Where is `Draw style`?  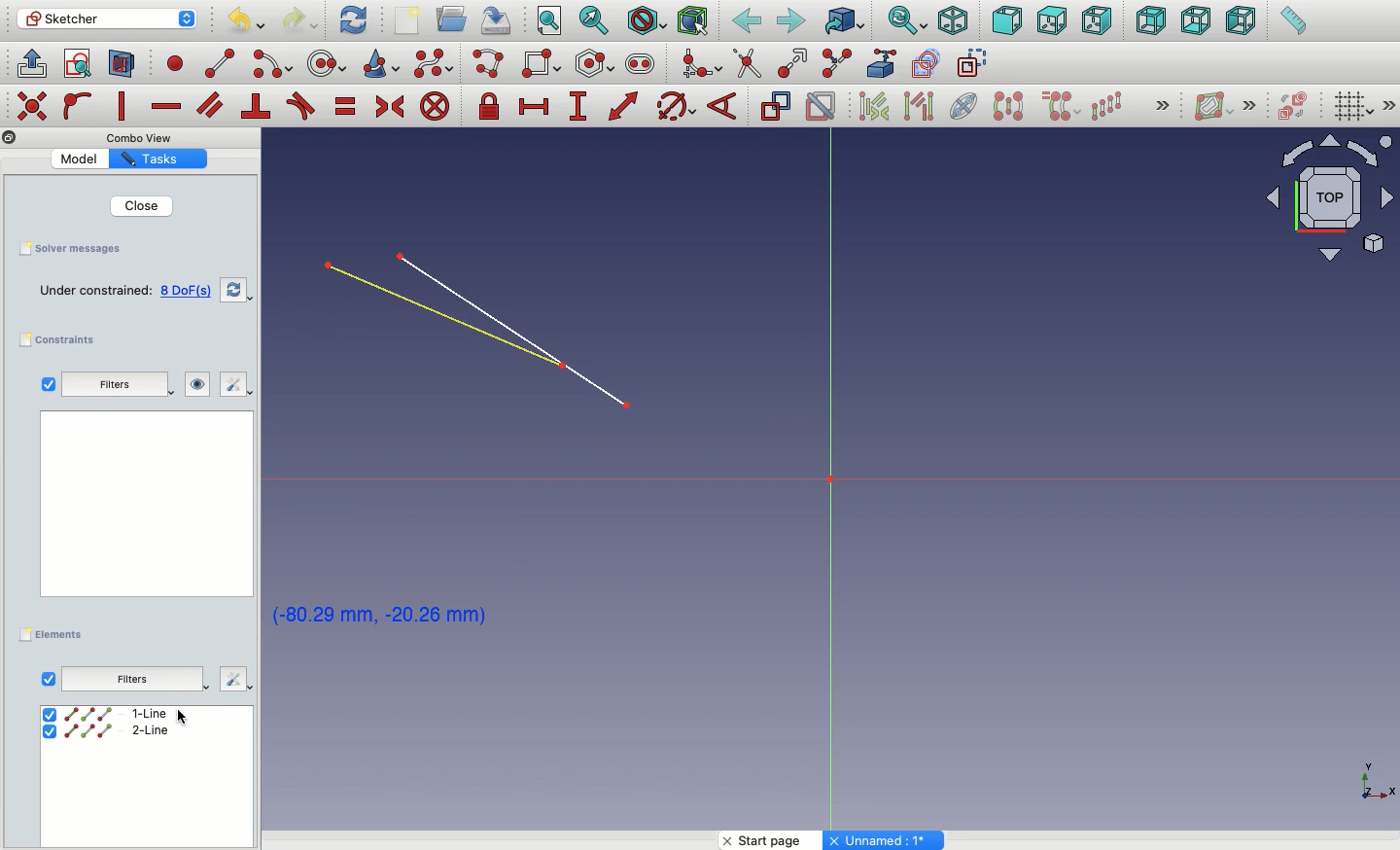 Draw style is located at coordinates (647, 20).